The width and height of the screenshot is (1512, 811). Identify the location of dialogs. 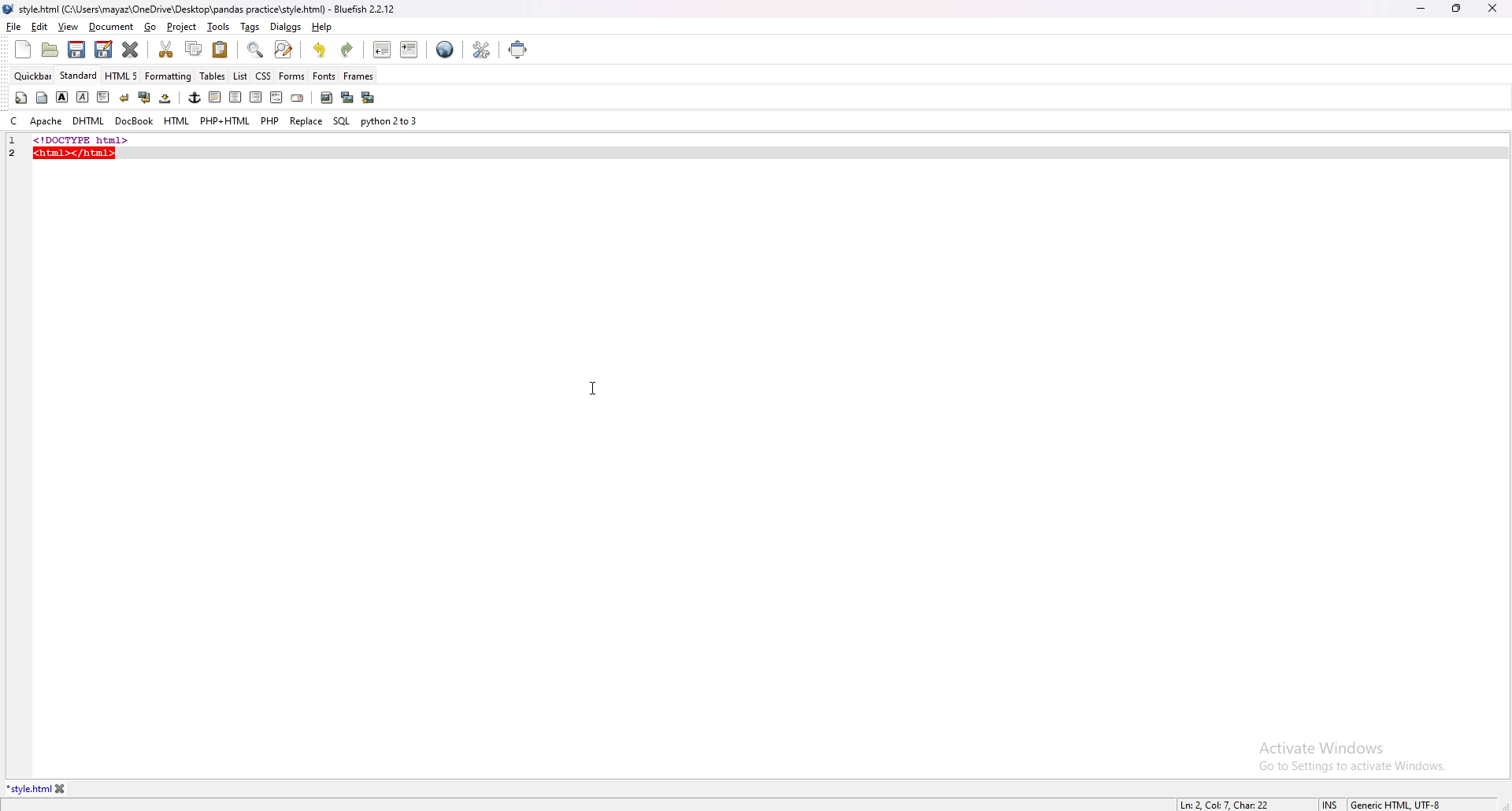
(286, 27).